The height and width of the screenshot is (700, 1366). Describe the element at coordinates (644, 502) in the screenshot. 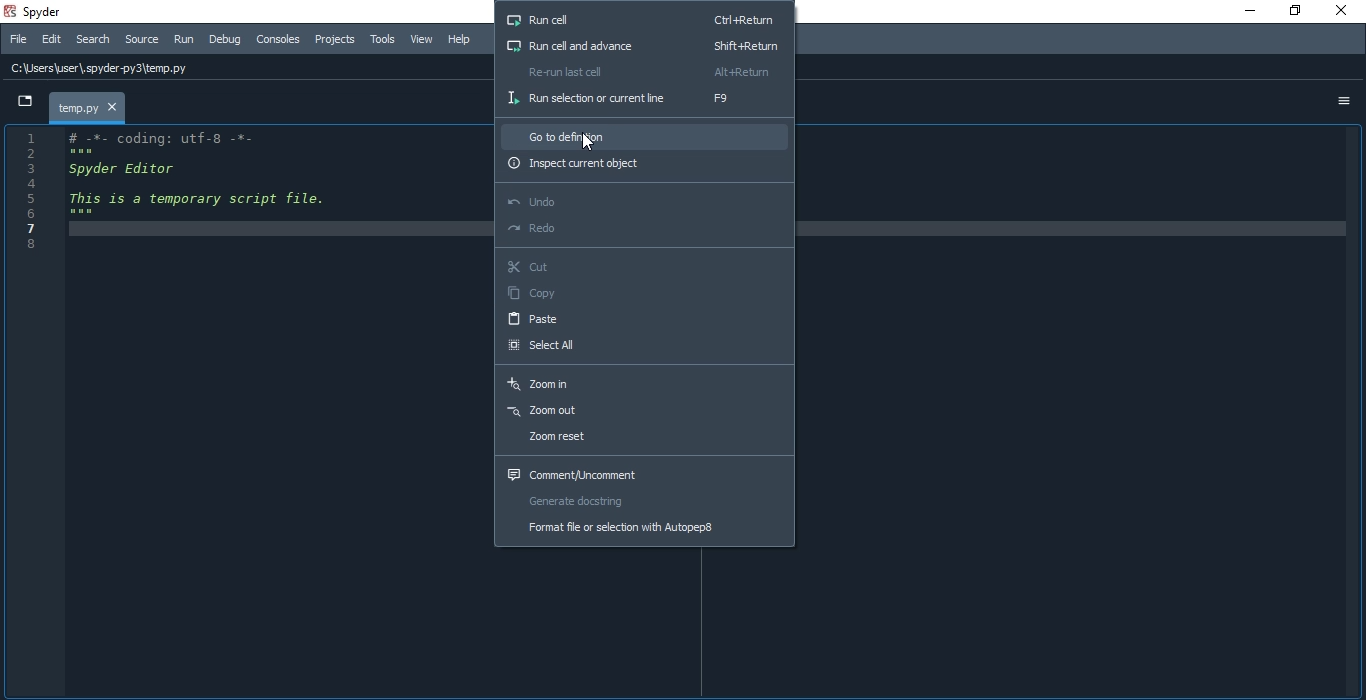

I see `Generate docstring` at that location.